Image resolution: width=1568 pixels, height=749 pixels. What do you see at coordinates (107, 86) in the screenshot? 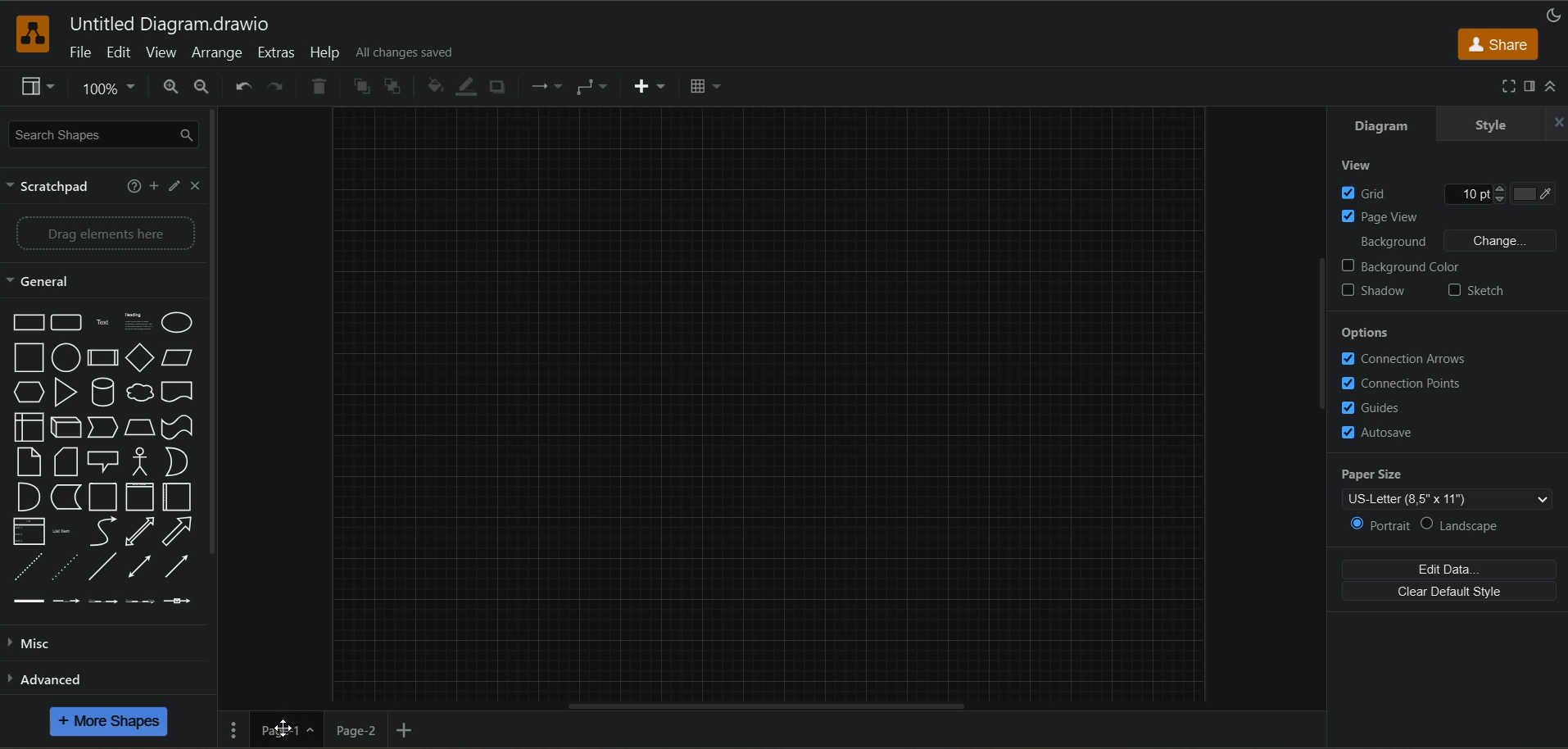
I see `zoom` at bounding box center [107, 86].